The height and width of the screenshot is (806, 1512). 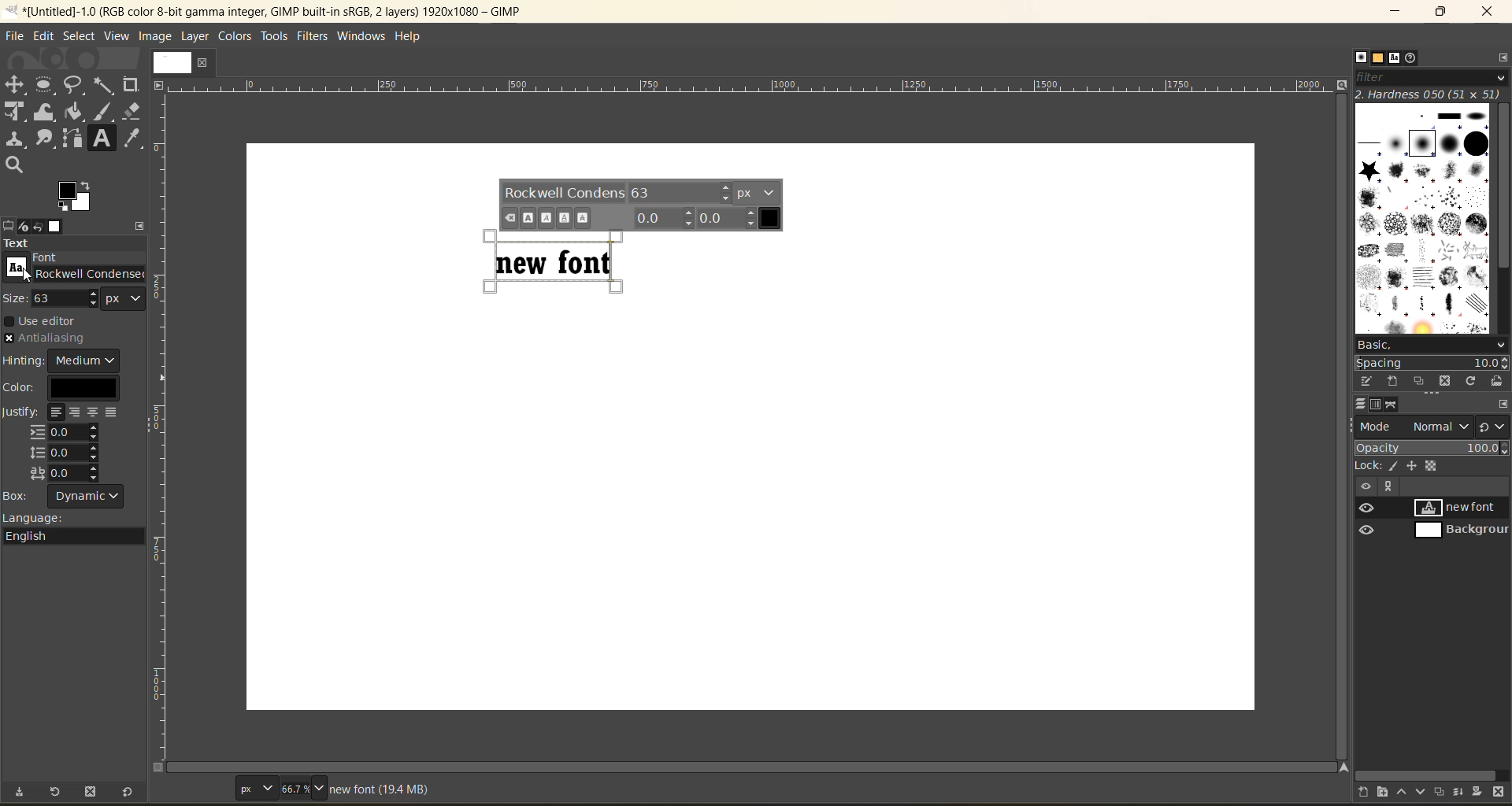 I want to click on add a mask, so click(x=1481, y=792).